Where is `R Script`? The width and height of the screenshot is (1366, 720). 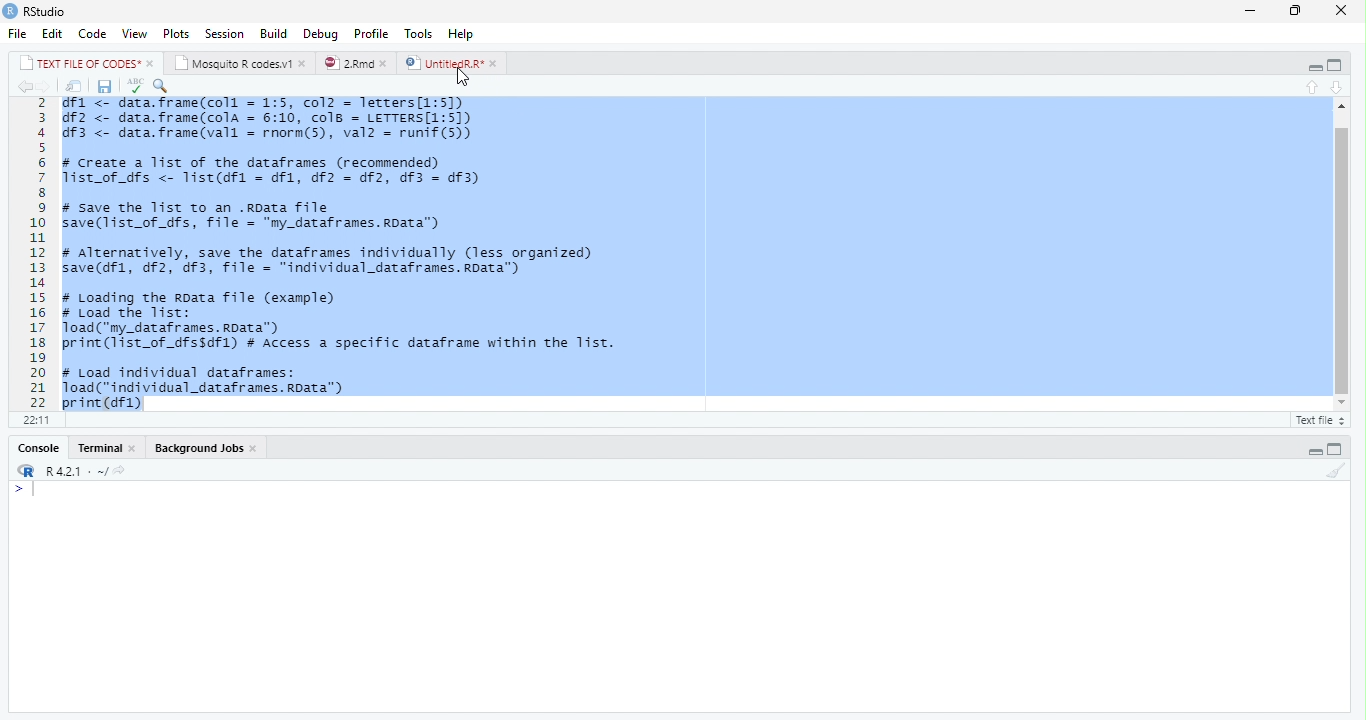
R Script is located at coordinates (1318, 419).